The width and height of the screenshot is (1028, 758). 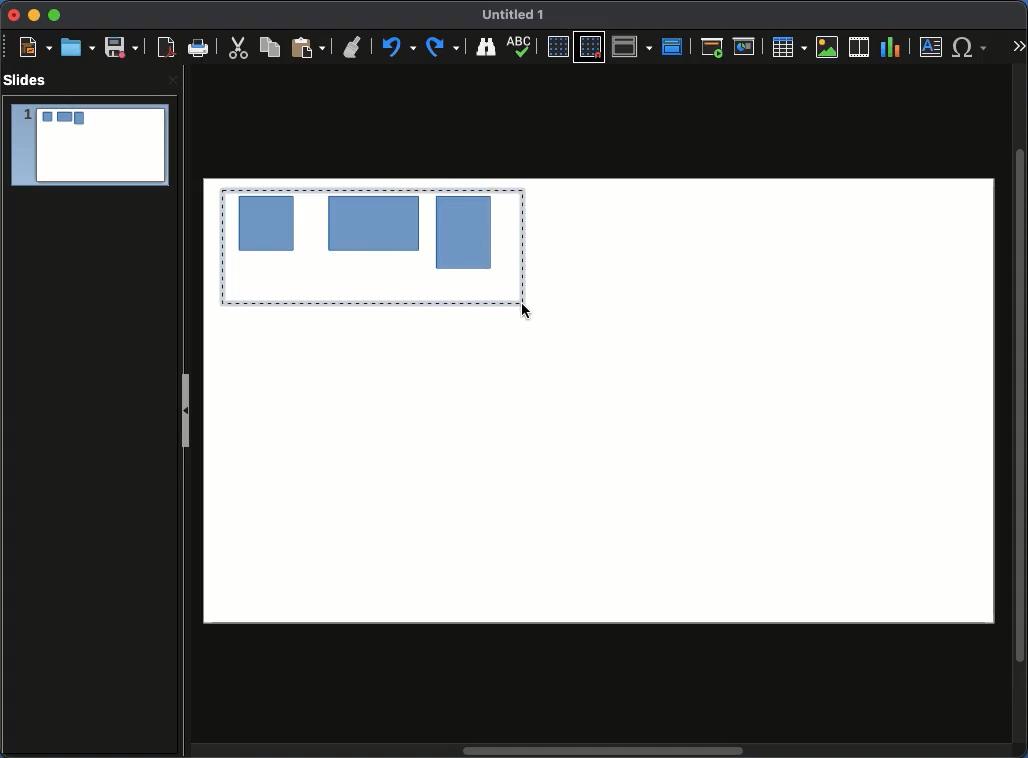 What do you see at coordinates (400, 48) in the screenshot?
I see `Undo` at bounding box center [400, 48].